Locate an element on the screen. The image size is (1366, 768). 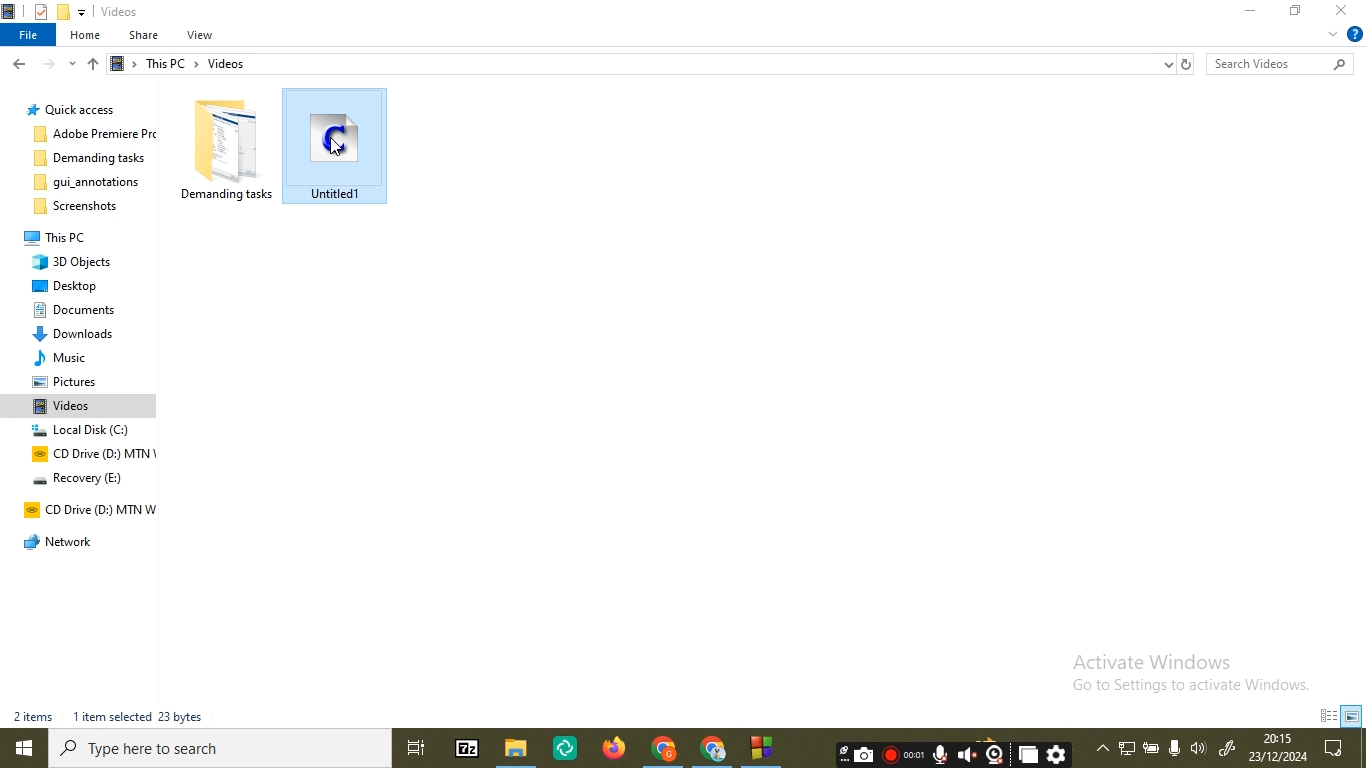
new folder is located at coordinates (67, 13).